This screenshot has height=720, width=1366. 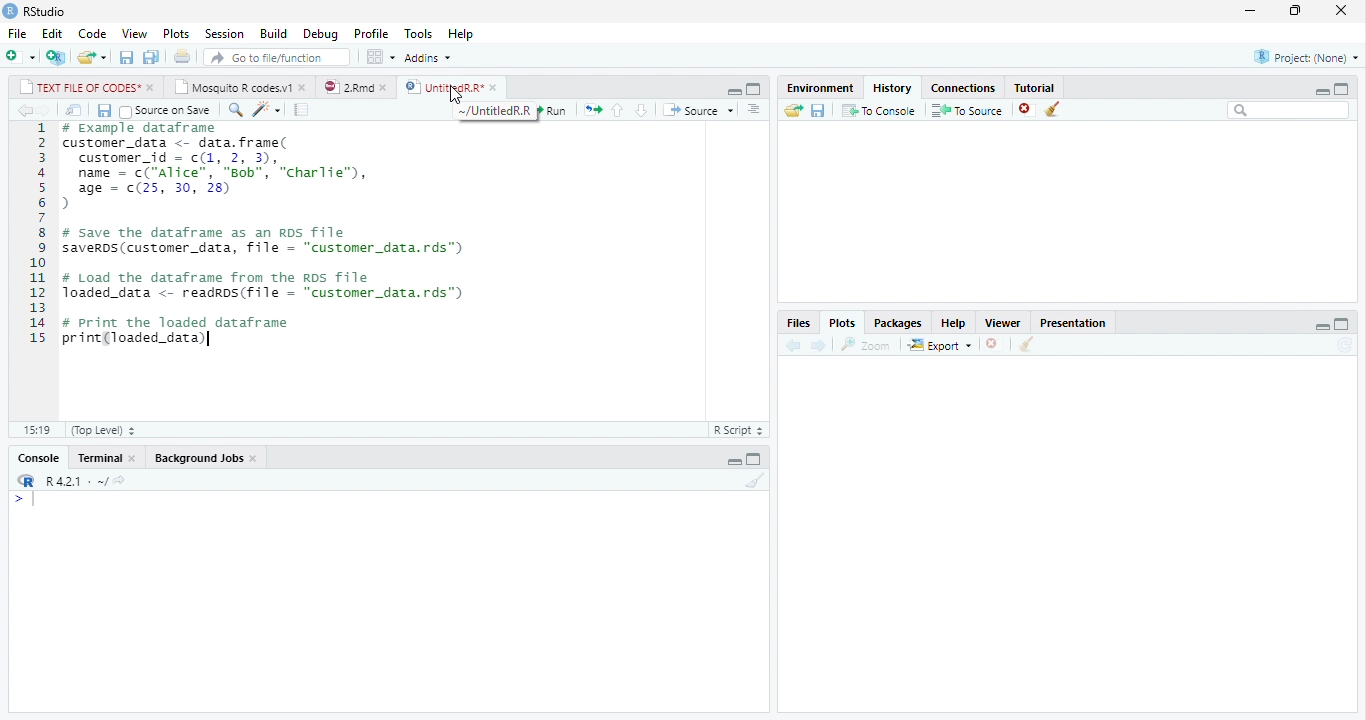 What do you see at coordinates (1341, 9) in the screenshot?
I see `close` at bounding box center [1341, 9].